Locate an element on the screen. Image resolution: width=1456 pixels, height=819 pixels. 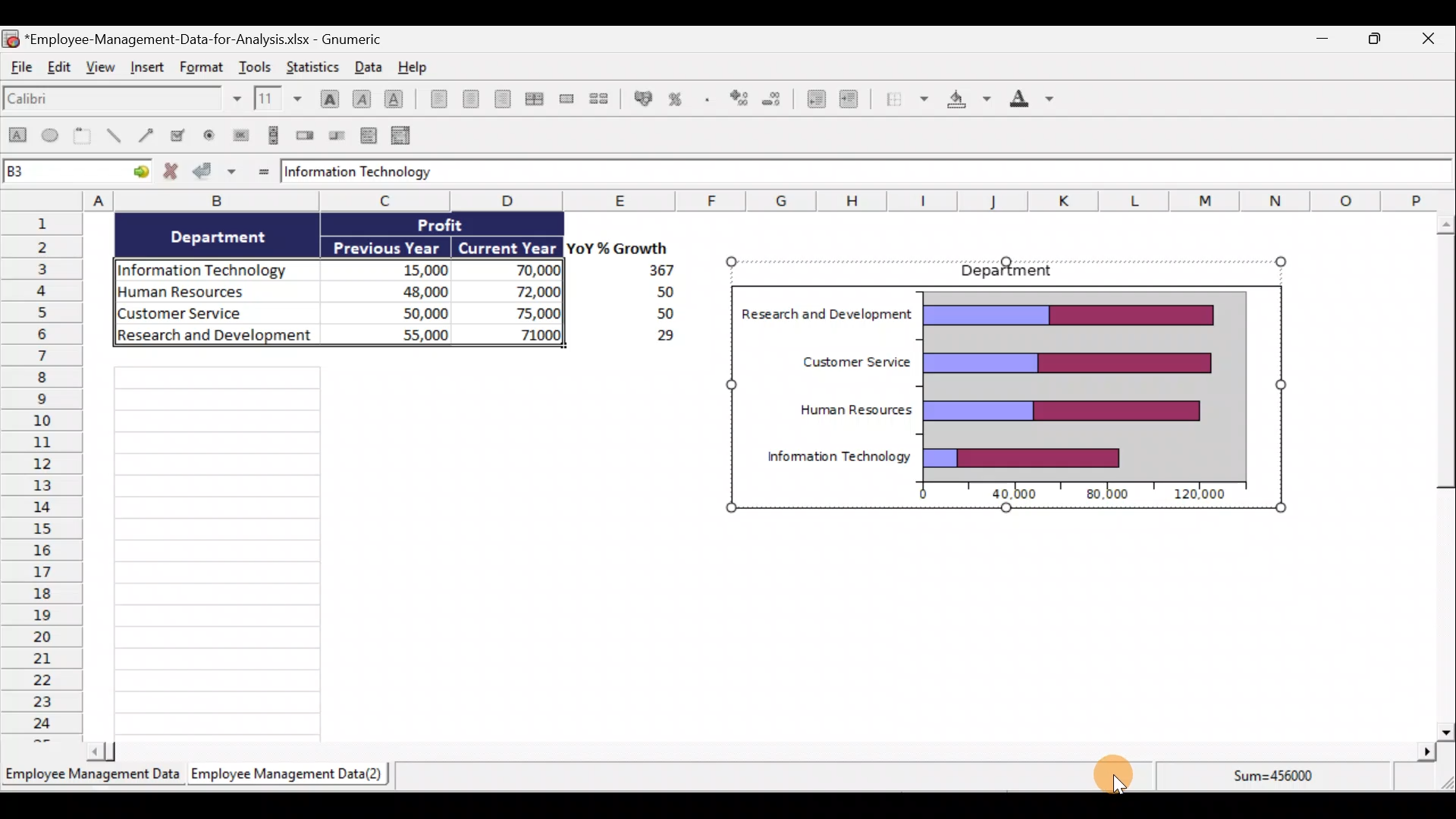
Create a radio button is located at coordinates (209, 136).